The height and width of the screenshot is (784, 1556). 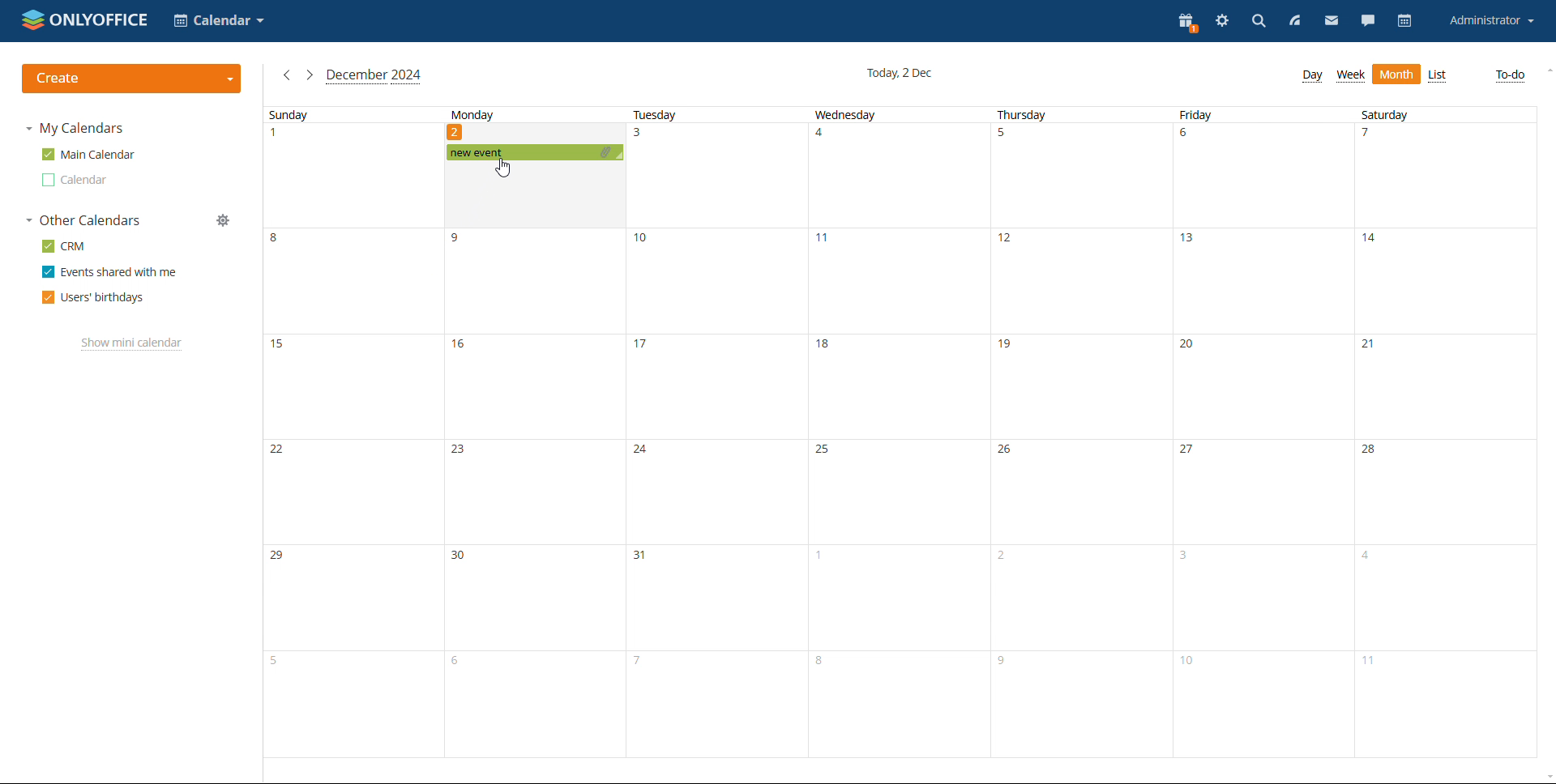 What do you see at coordinates (822, 450) in the screenshot?
I see `25` at bounding box center [822, 450].